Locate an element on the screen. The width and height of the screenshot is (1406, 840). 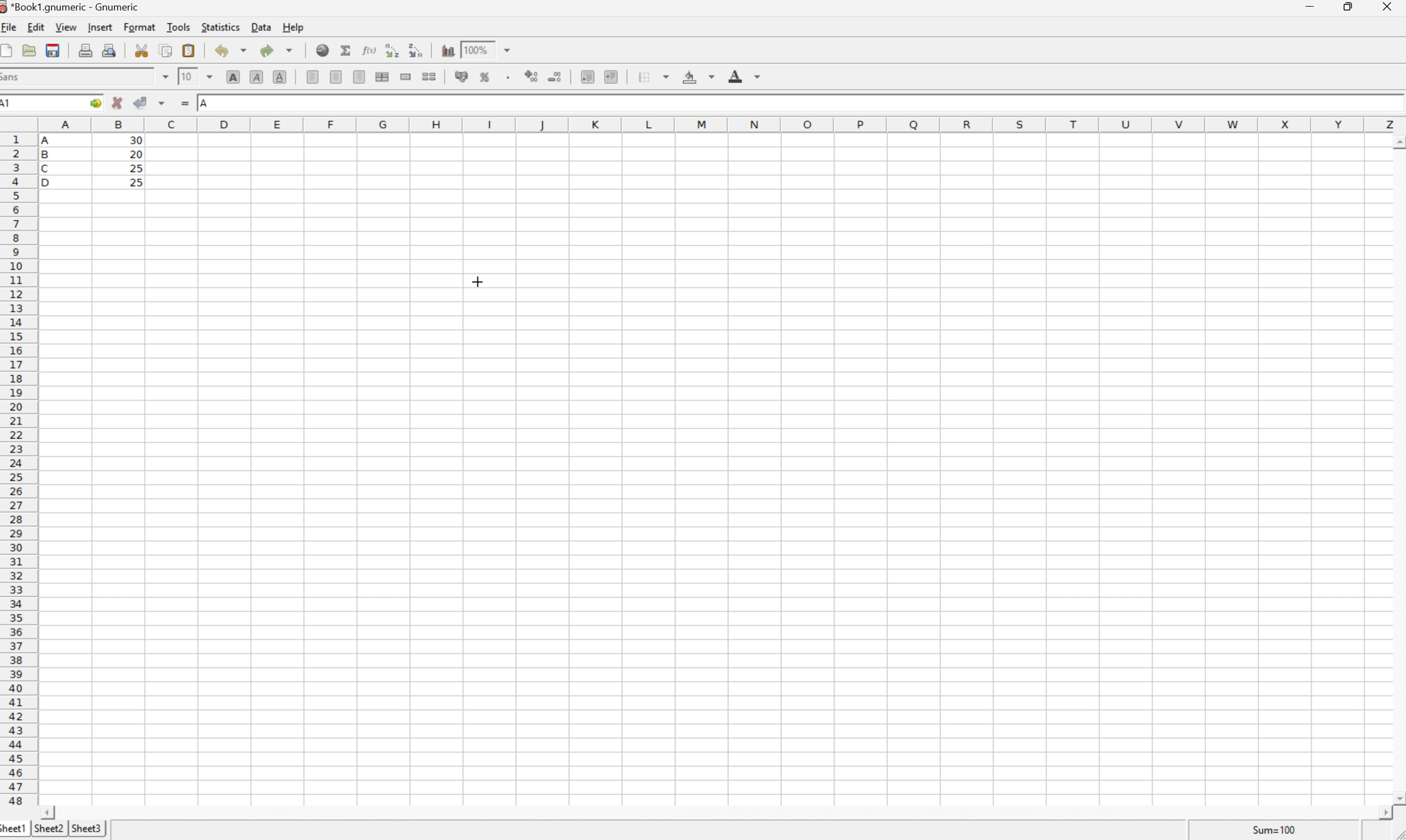
Background is located at coordinates (698, 78).